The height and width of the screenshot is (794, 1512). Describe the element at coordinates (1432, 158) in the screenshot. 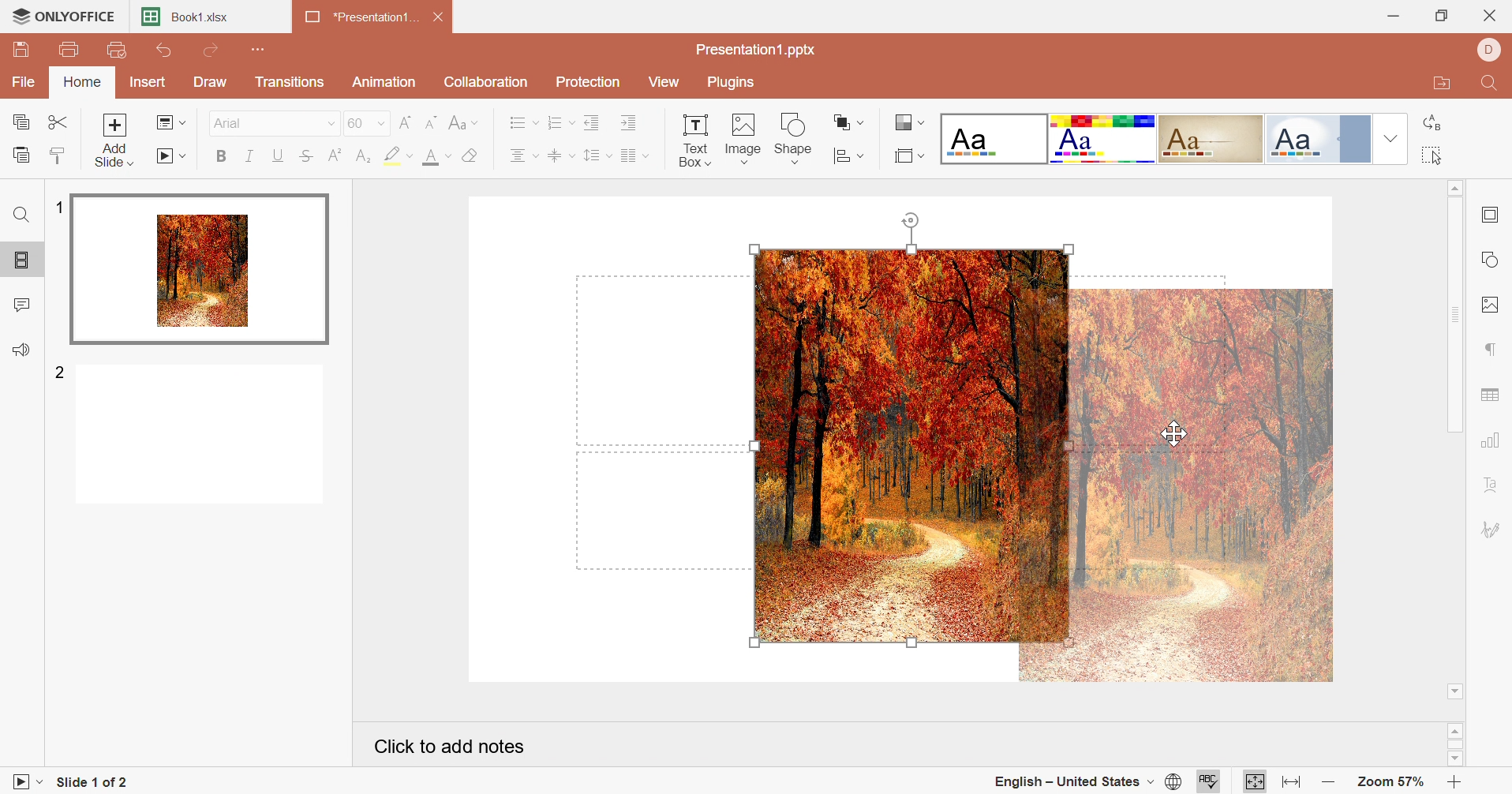

I see `Select all` at that location.